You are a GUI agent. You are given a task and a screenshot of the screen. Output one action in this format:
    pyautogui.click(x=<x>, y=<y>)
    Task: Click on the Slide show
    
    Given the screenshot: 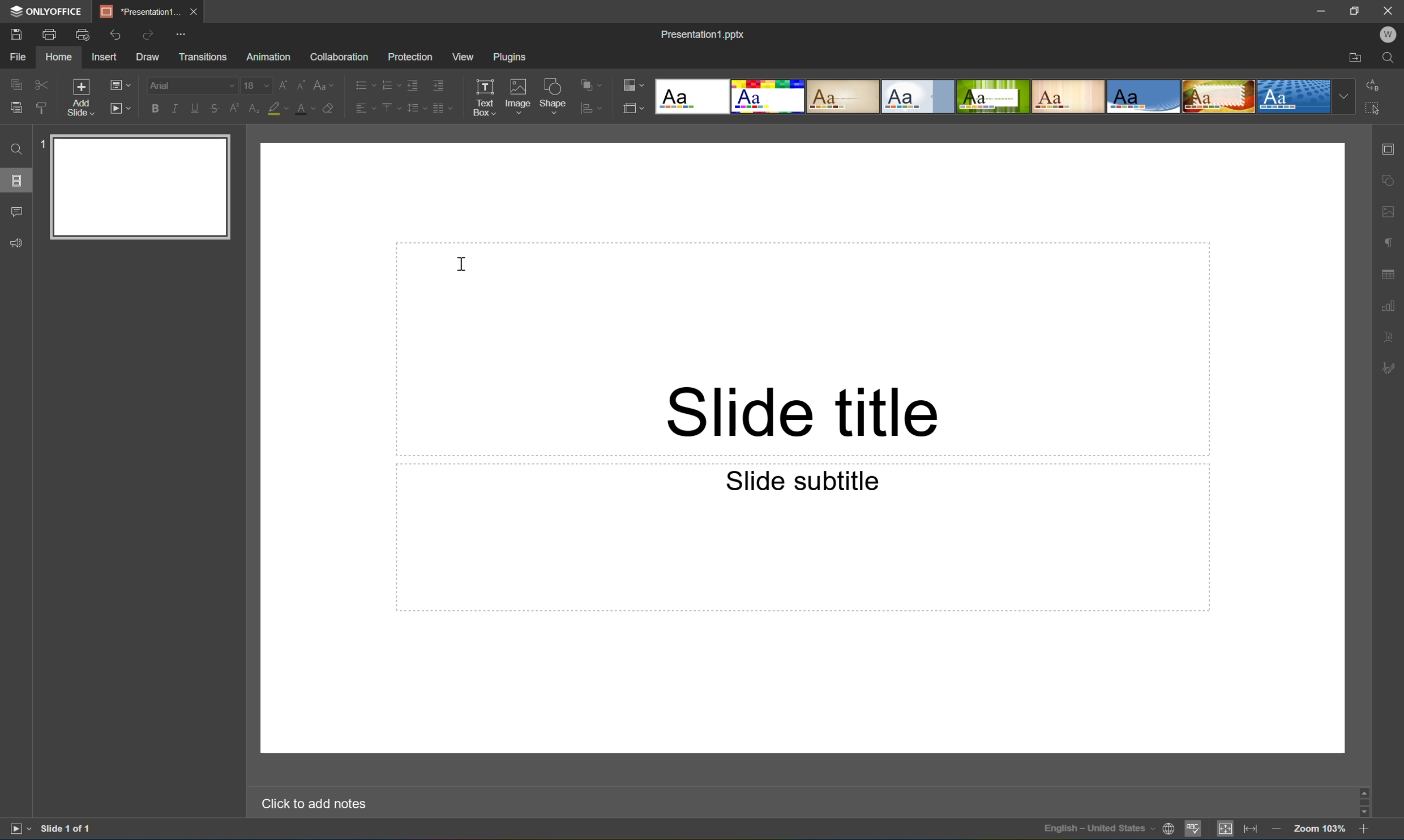 What is the action you would take?
    pyautogui.click(x=18, y=829)
    